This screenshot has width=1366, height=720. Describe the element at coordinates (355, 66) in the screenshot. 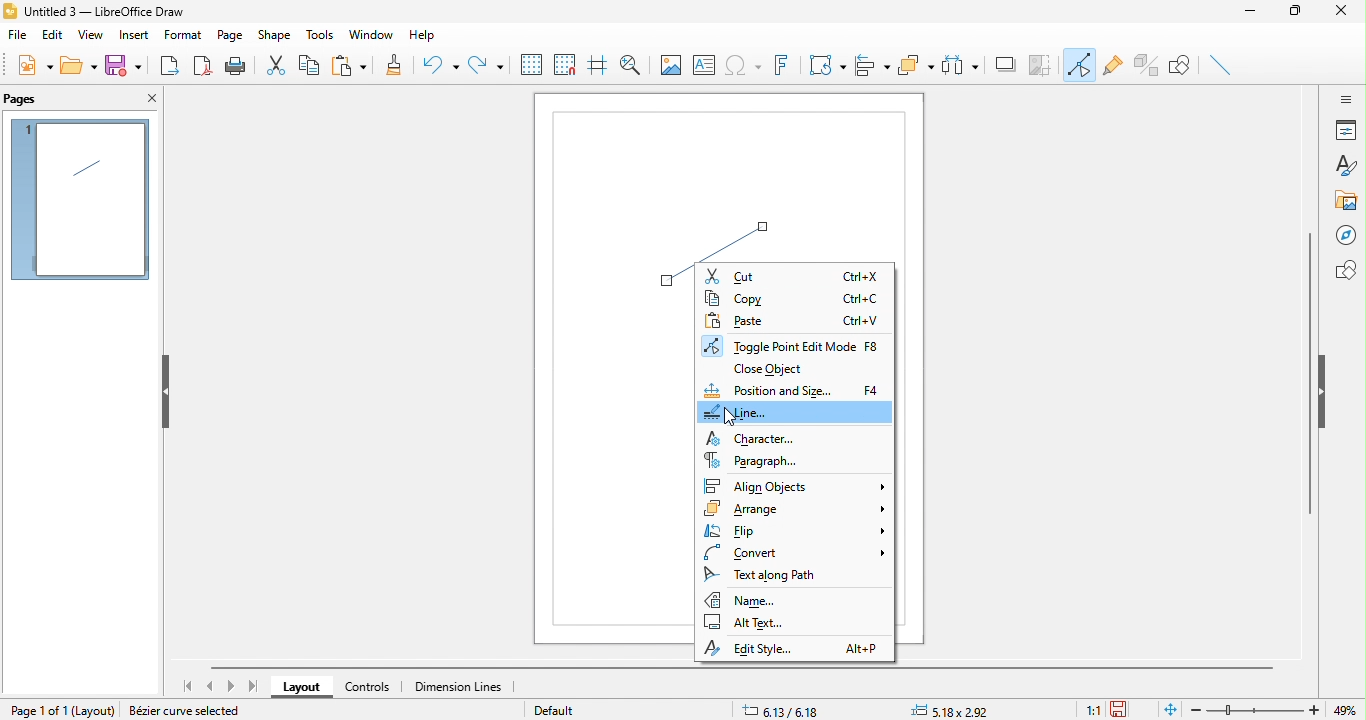

I see `paste` at that location.